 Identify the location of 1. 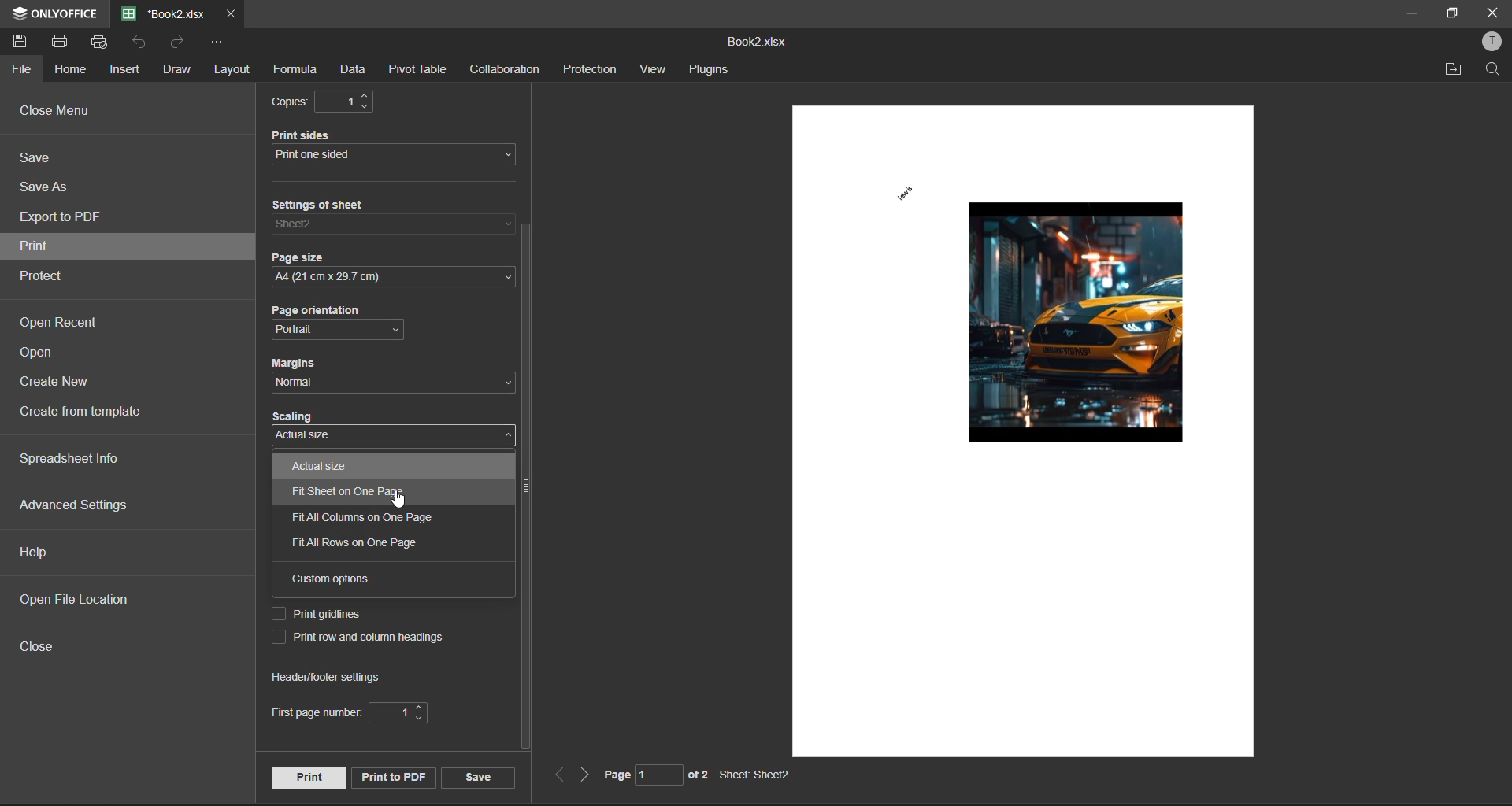
(352, 103).